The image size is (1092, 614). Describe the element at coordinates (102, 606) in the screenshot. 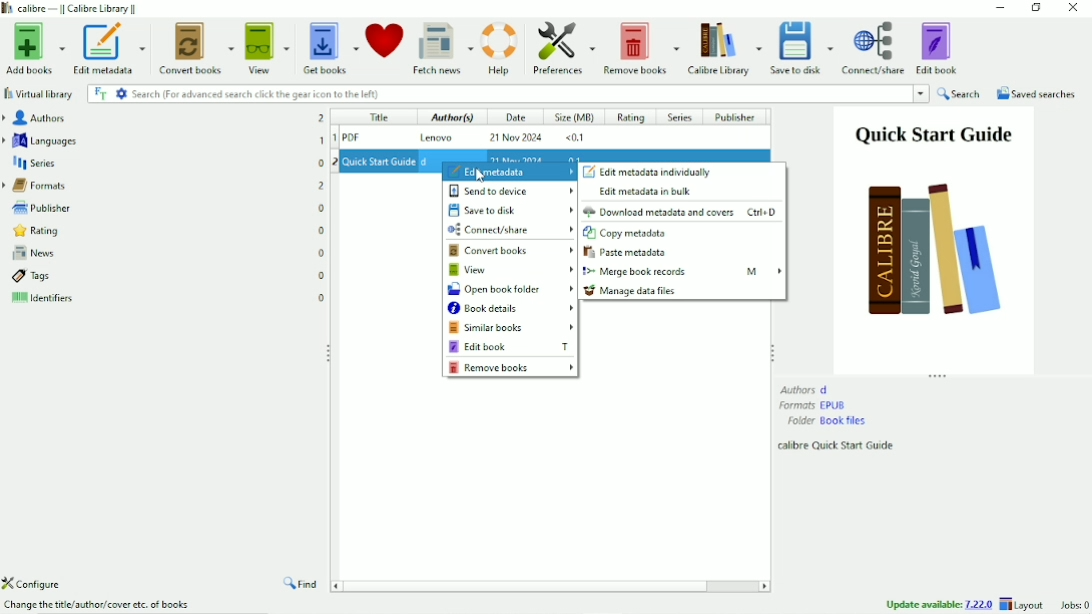

I see `calibre 7.21 created by Kovid Goyal` at that location.